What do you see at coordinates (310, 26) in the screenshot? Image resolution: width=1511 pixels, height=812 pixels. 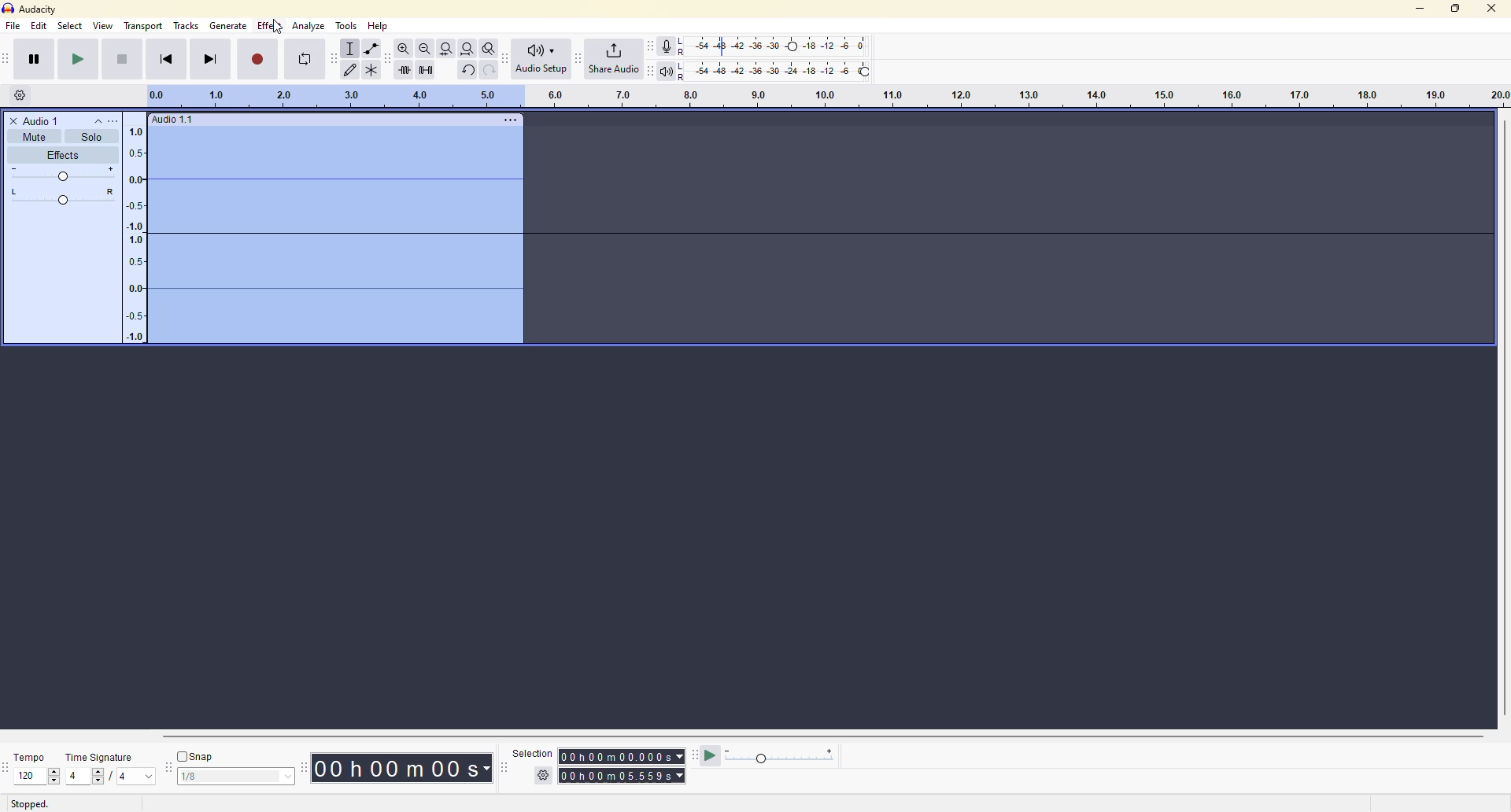 I see `analyze` at bounding box center [310, 26].